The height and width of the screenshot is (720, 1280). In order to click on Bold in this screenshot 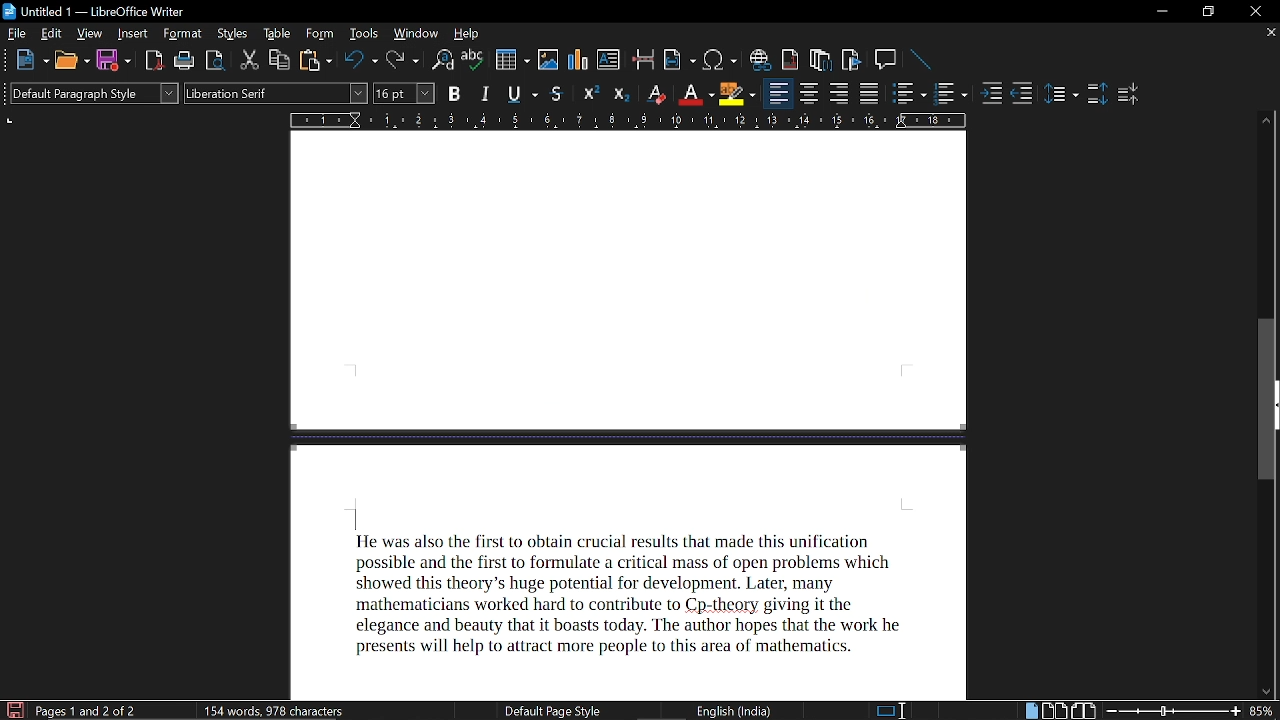, I will do `click(454, 93)`.